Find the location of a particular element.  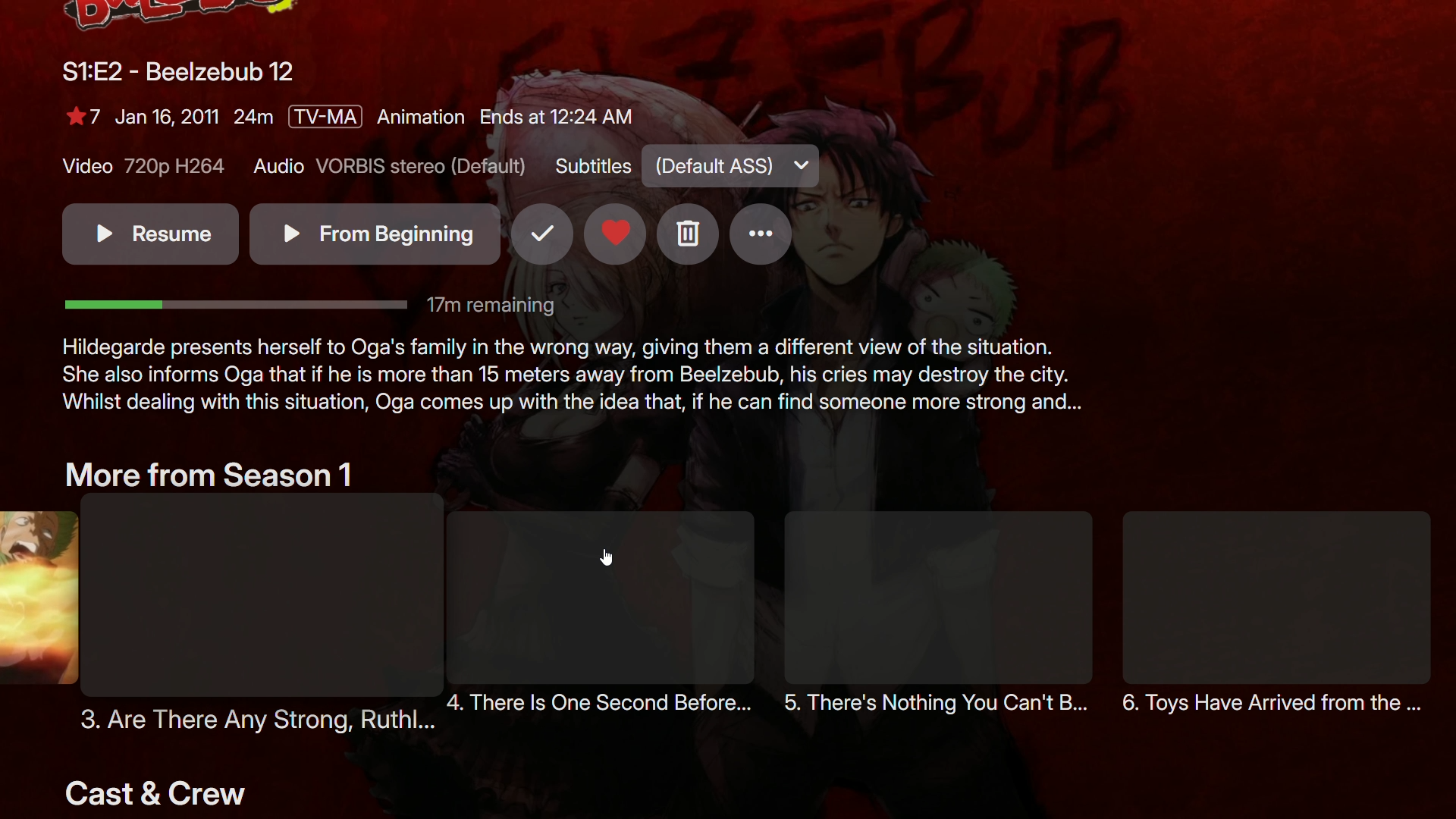

cursor is located at coordinates (603, 554).